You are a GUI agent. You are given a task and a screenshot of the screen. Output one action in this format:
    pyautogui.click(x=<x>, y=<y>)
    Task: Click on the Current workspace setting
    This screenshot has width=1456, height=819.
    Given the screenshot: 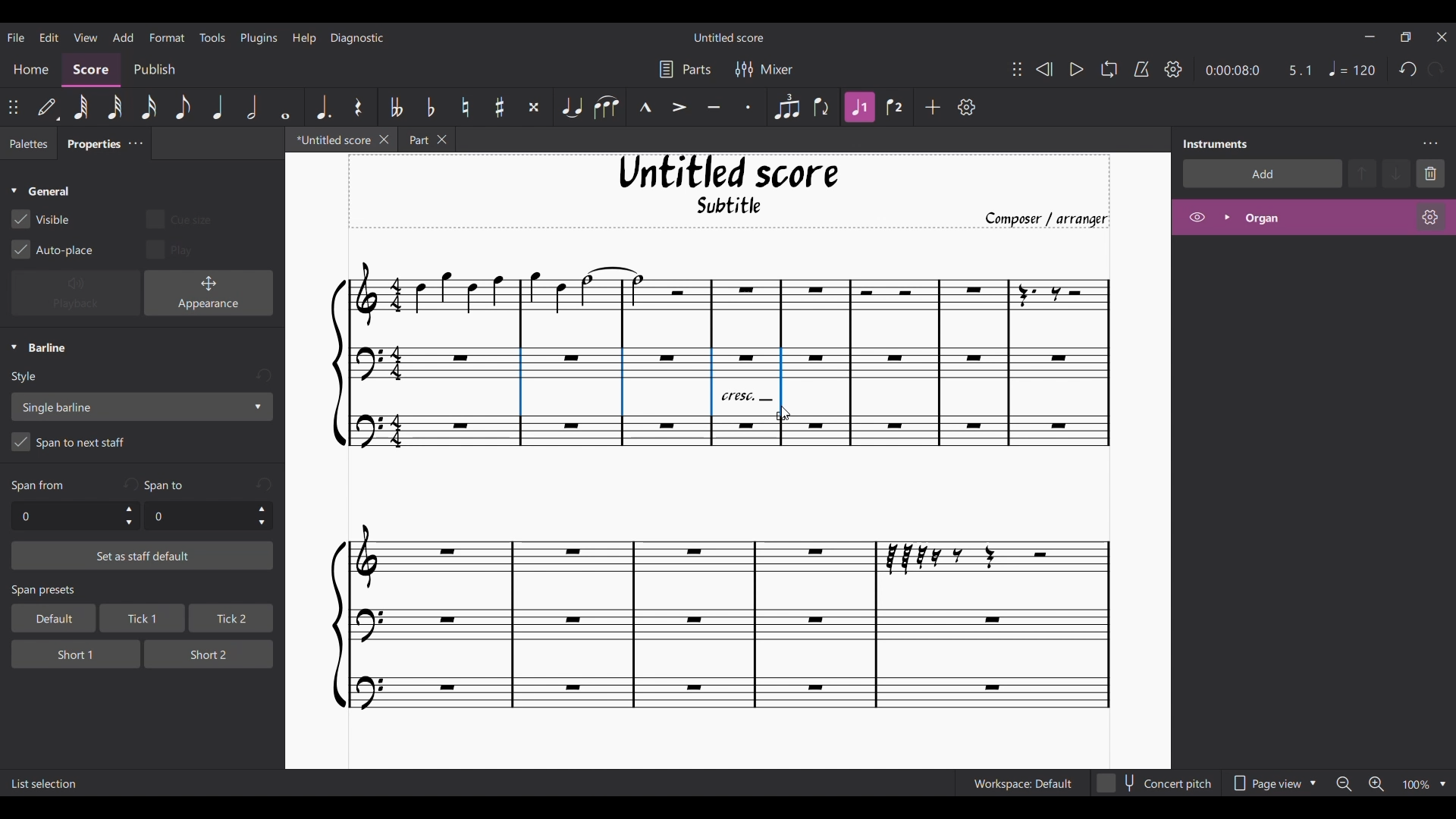 What is the action you would take?
    pyautogui.click(x=1022, y=783)
    